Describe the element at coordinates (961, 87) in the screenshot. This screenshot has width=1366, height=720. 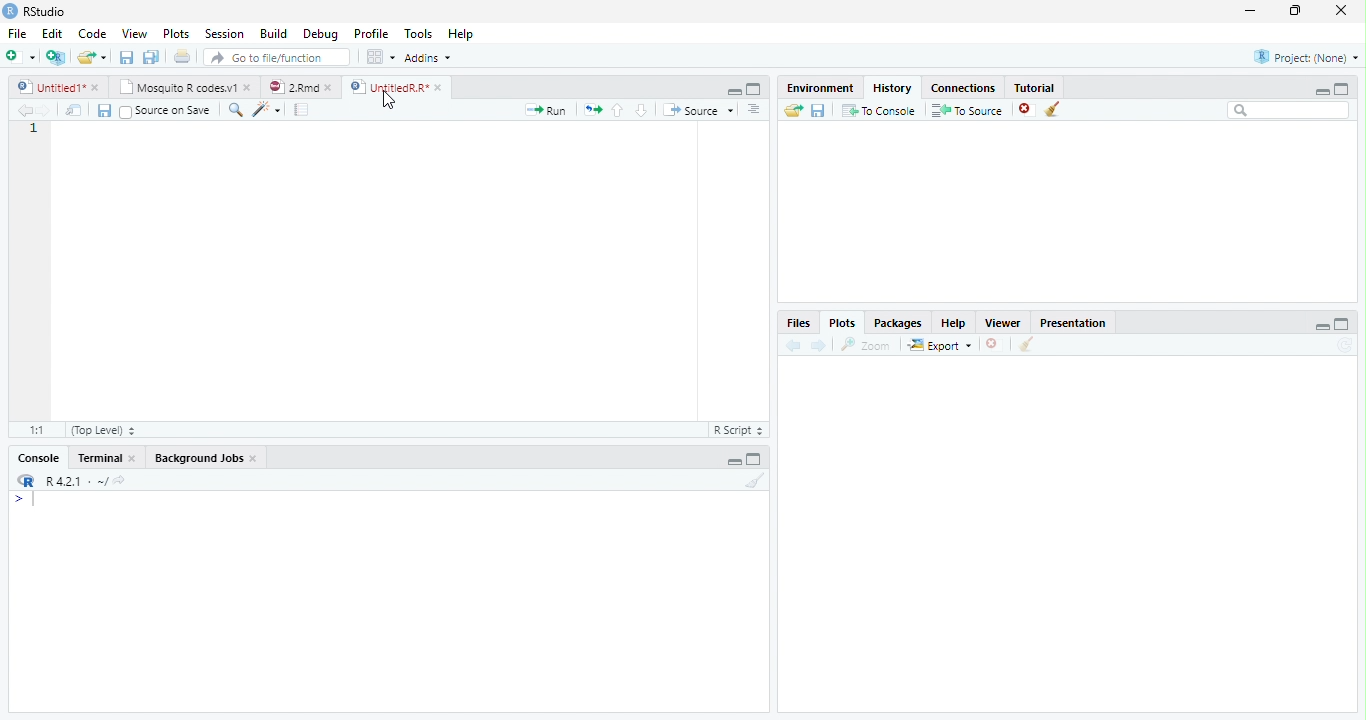
I see `Connections` at that location.